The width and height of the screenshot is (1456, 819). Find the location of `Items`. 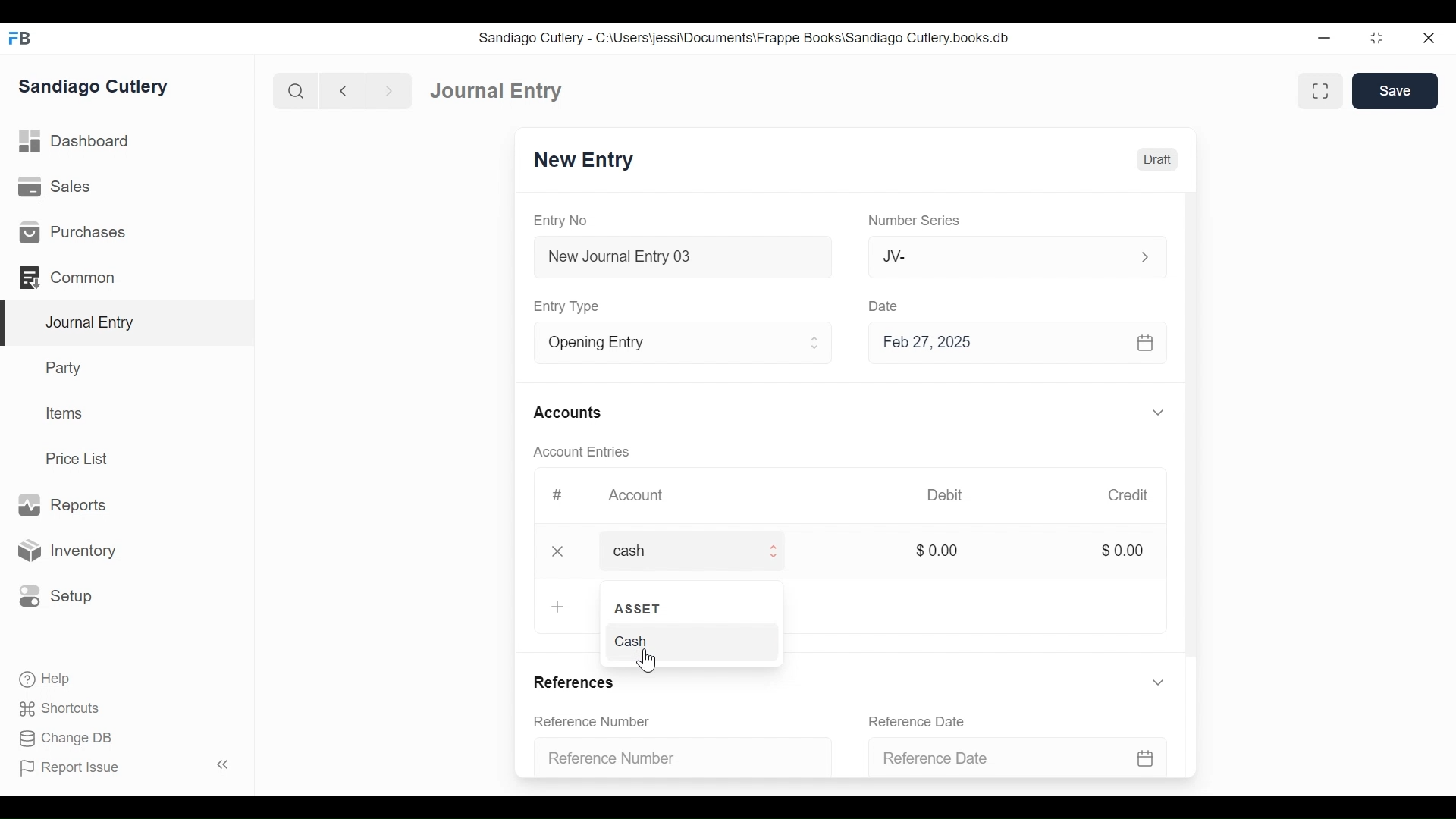

Items is located at coordinates (62, 413).